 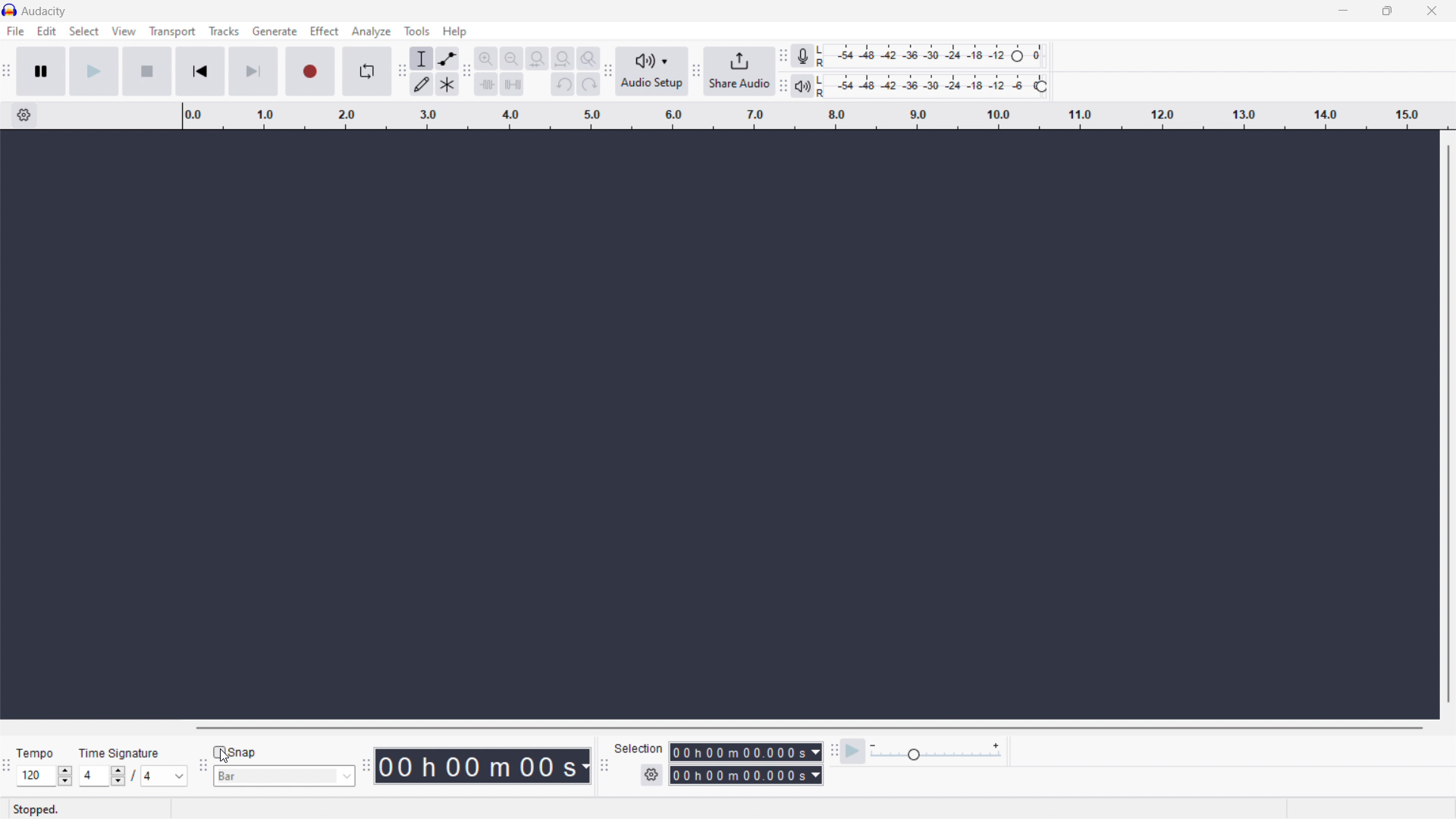 I want to click on share audio, so click(x=739, y=71).